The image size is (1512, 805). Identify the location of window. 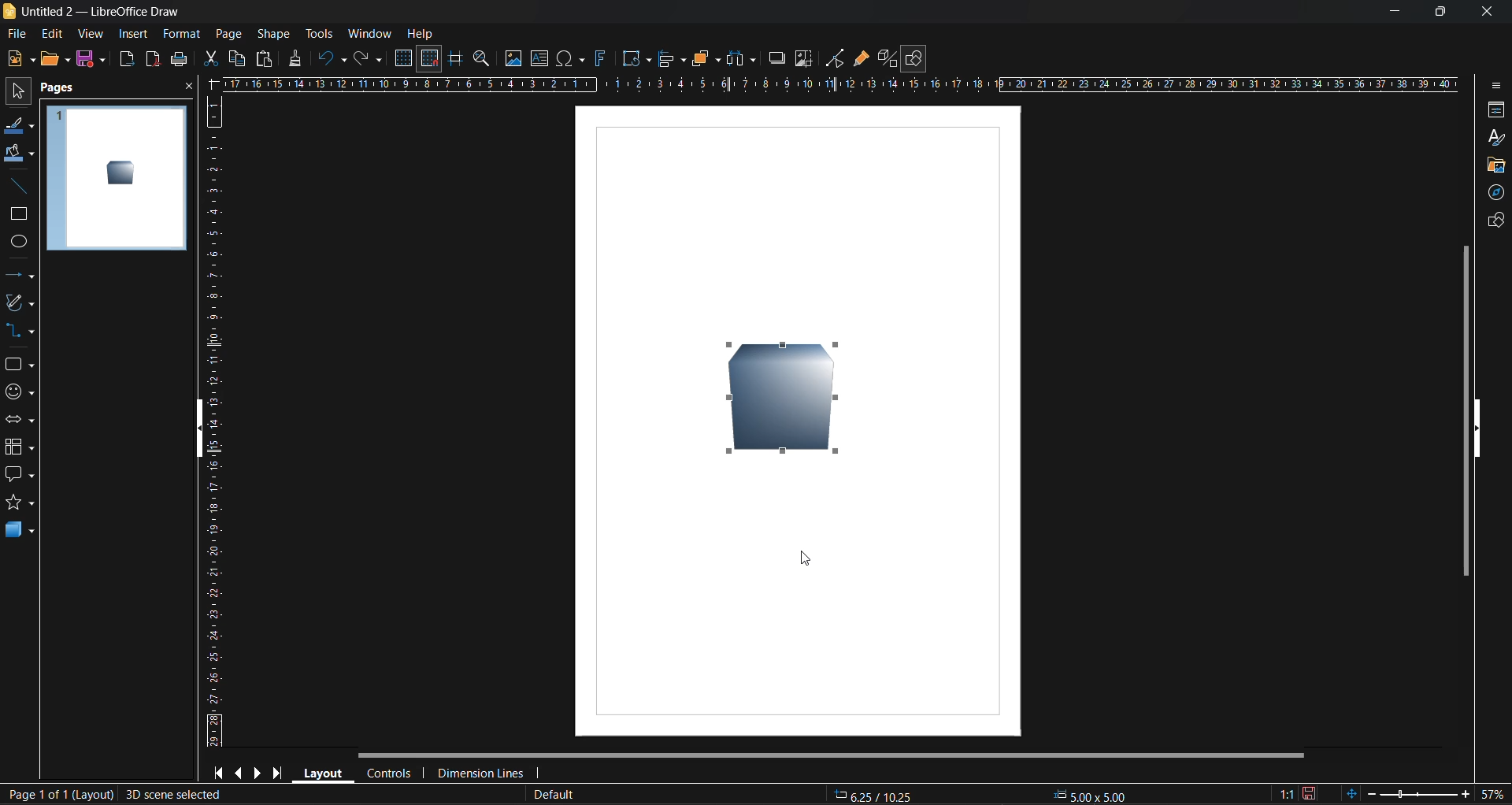
(369, 33).